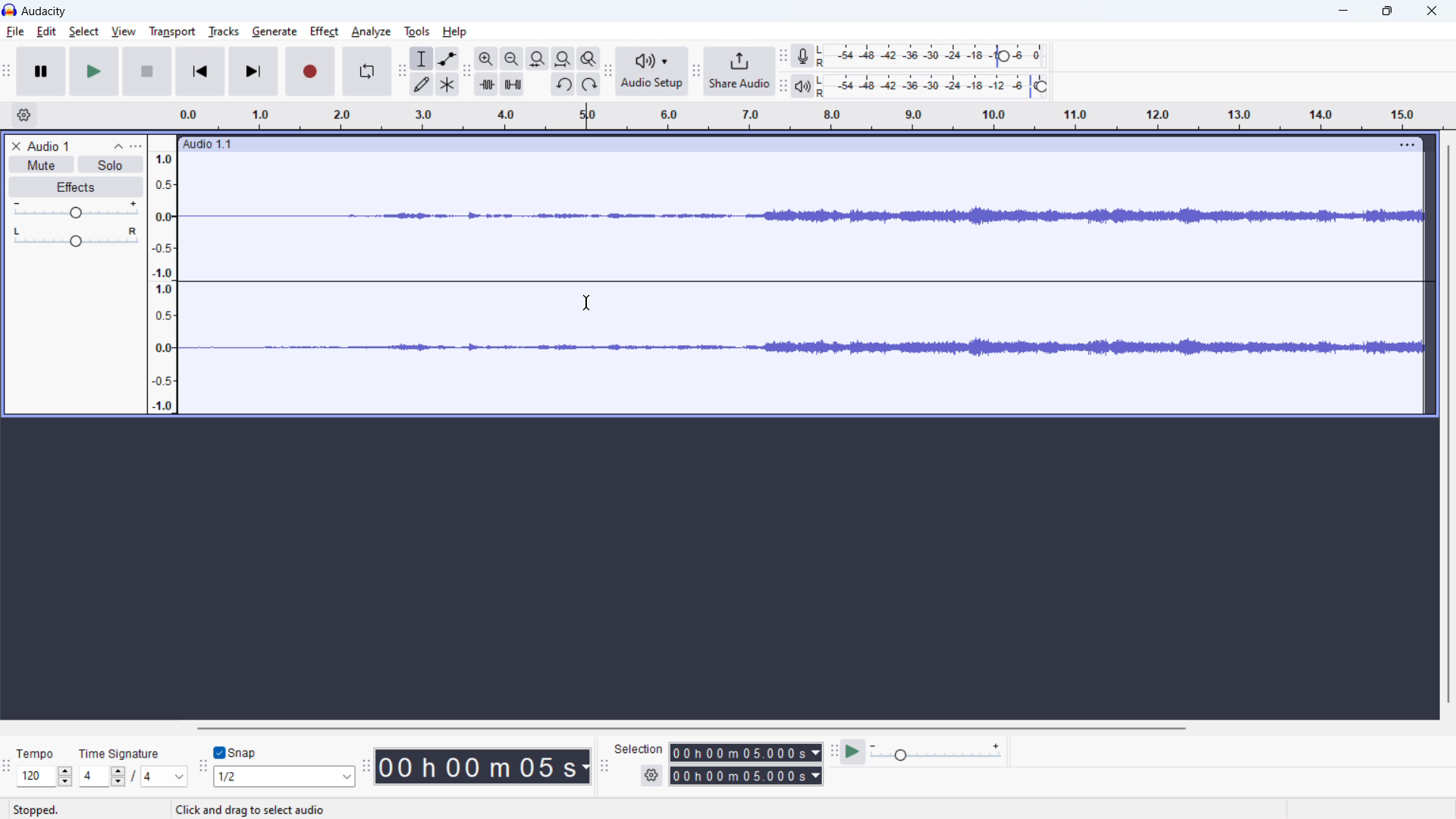  I want to click on redo, so click(588, 84).